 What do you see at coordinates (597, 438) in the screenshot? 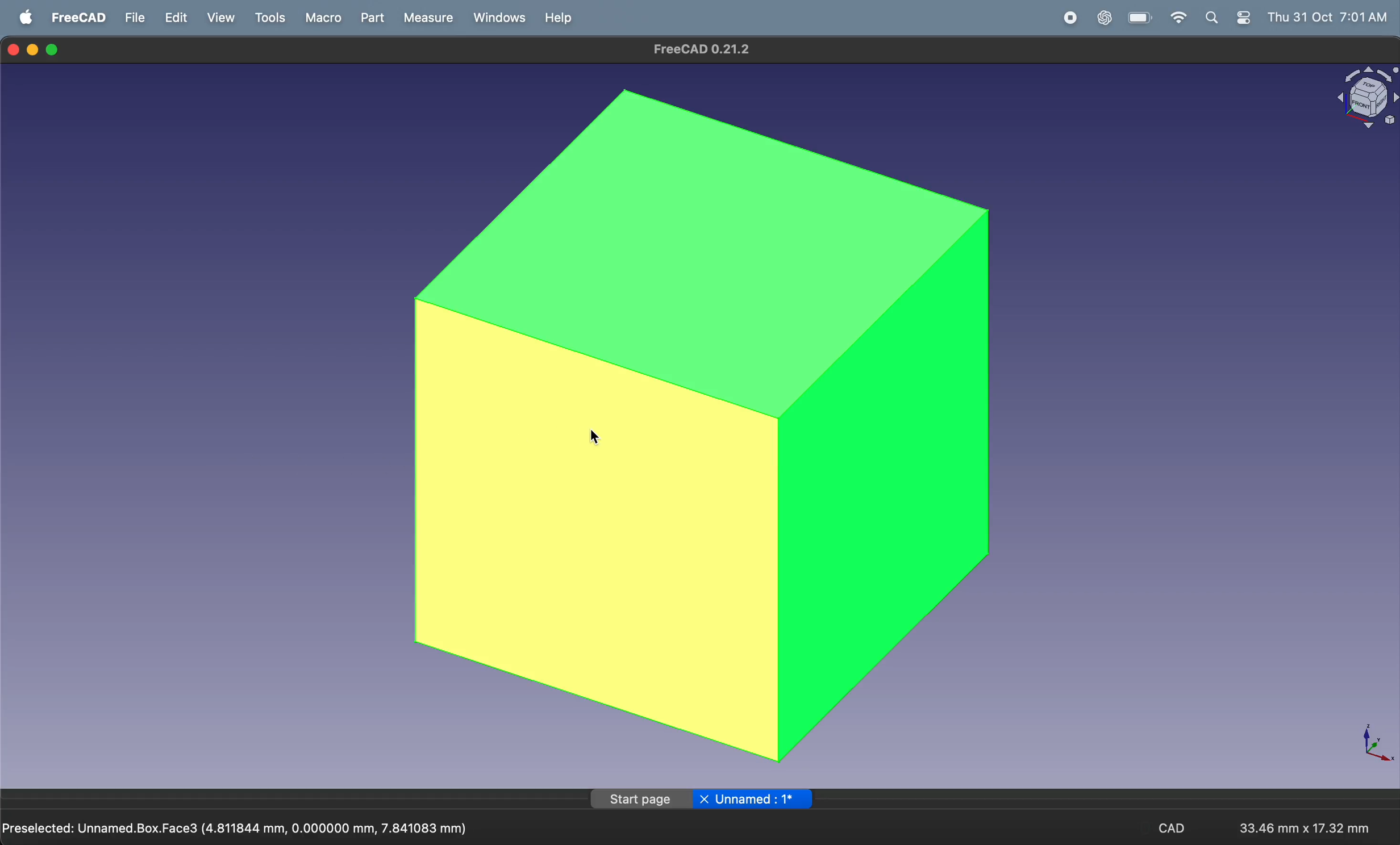
I see `cursor` at bounding box center [597, 438].